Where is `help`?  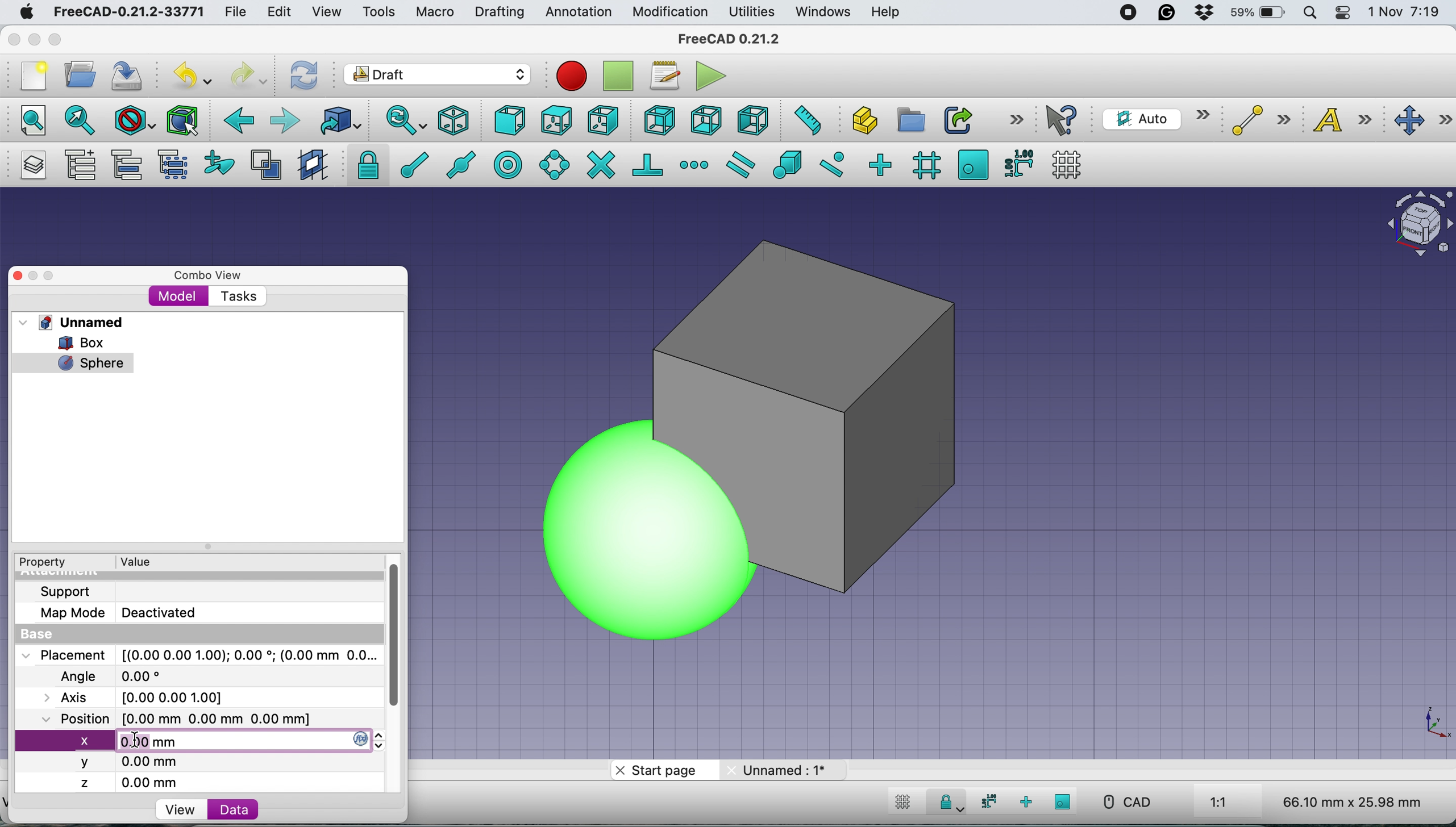 help is located at coordinates (887, 13).